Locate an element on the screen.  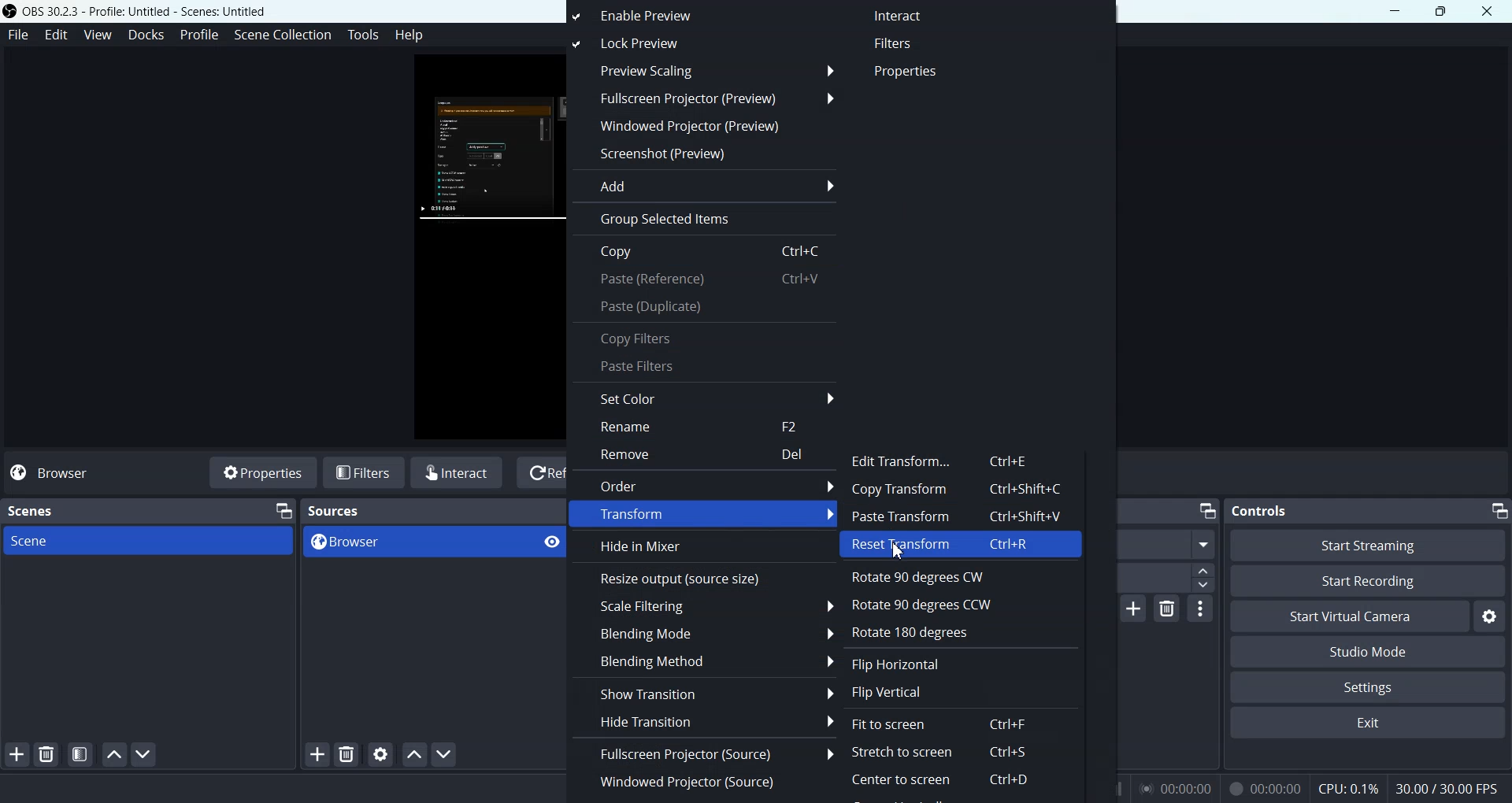
Move Scene Down is located at coordinates (447, 755).